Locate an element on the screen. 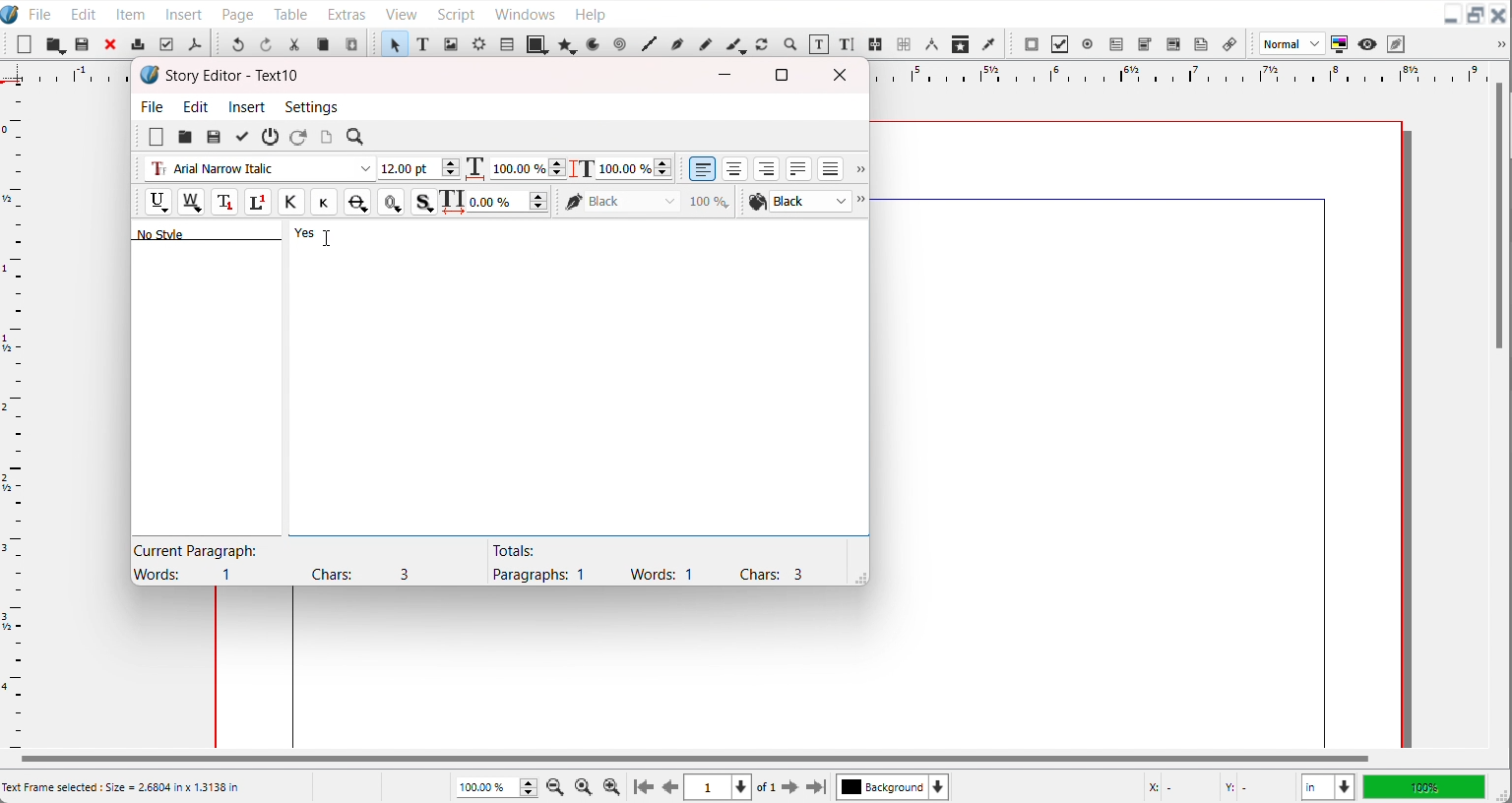 The width and height of the screenshot is (1512, 803). Cut is located at coordinates (294, 44).